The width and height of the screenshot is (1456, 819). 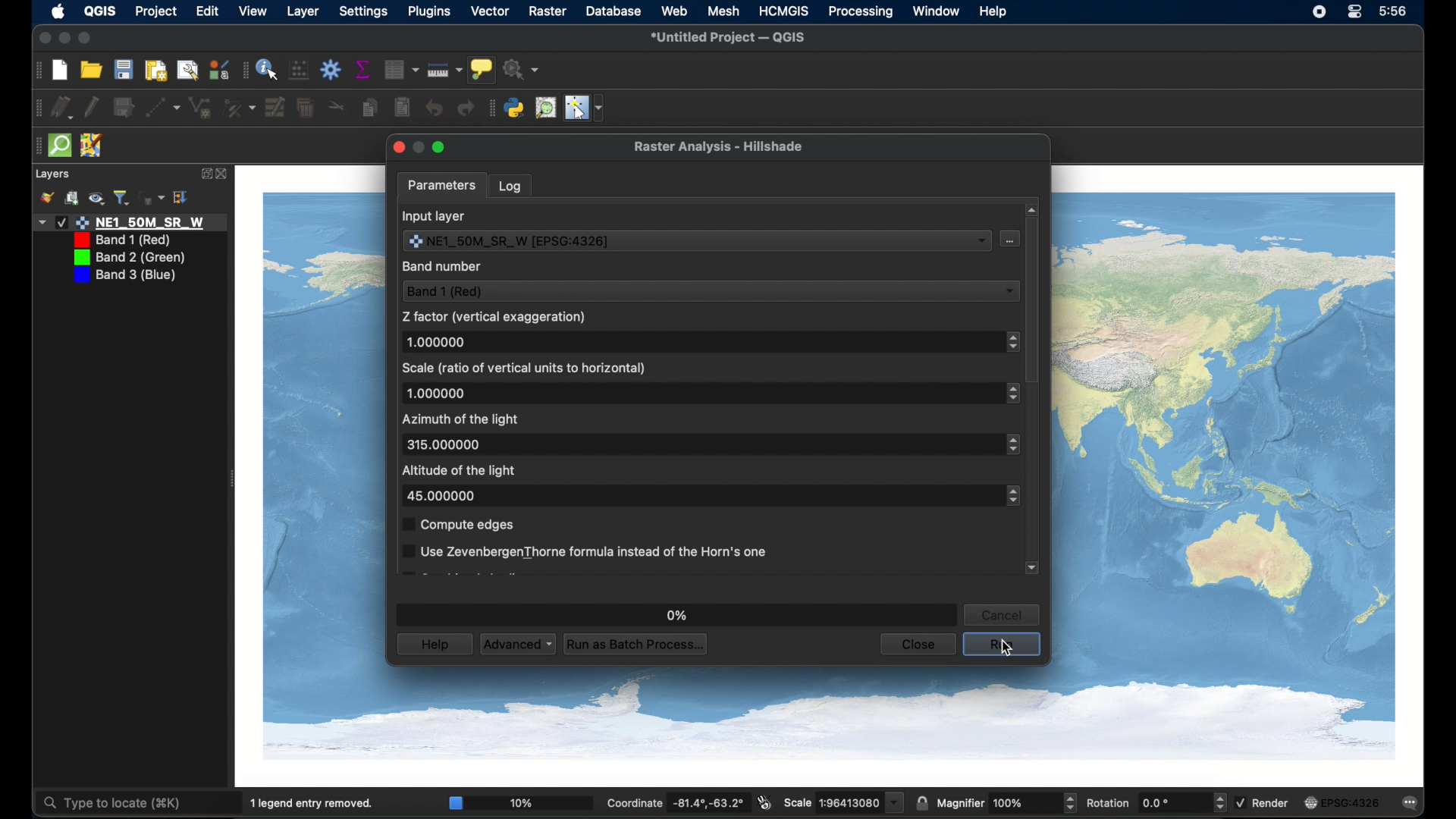 I want to click on save edits, so click(x=124, y=108).